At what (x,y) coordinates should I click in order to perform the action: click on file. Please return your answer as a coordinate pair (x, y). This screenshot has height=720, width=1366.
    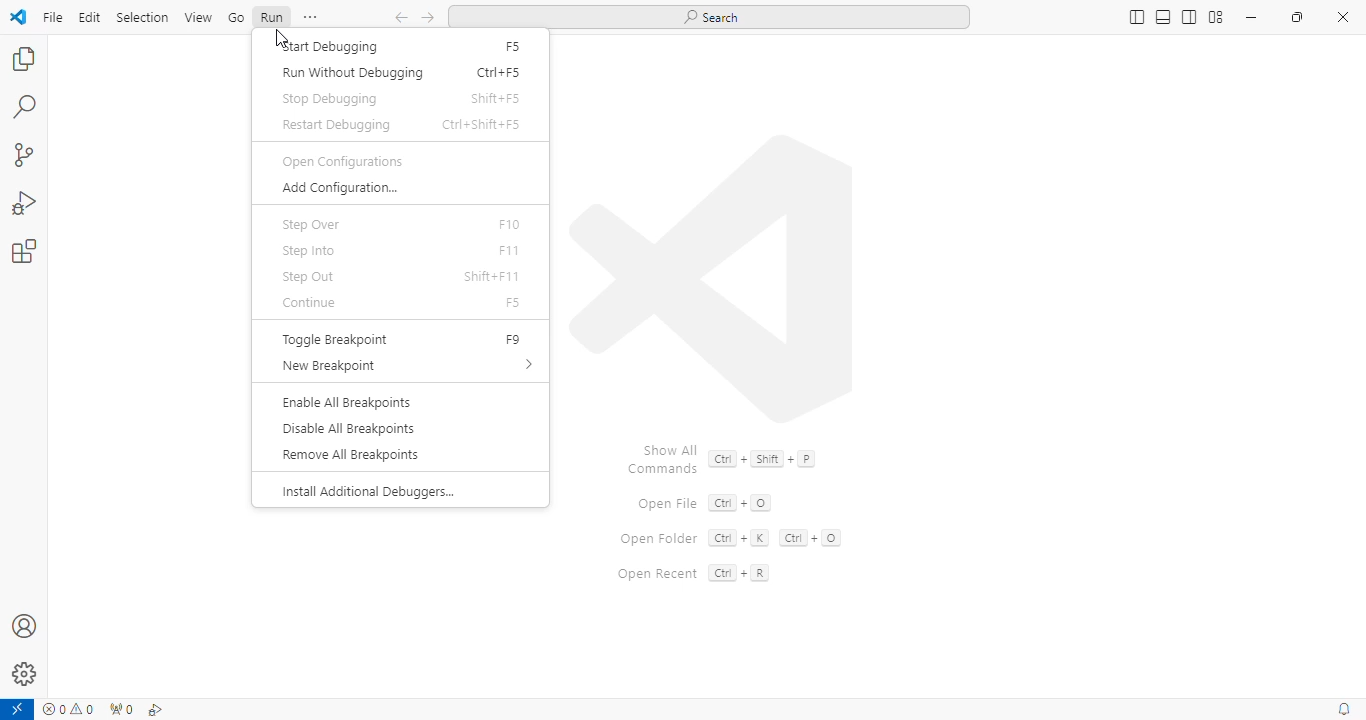
    Looking at the image, I should click on (52, 17).